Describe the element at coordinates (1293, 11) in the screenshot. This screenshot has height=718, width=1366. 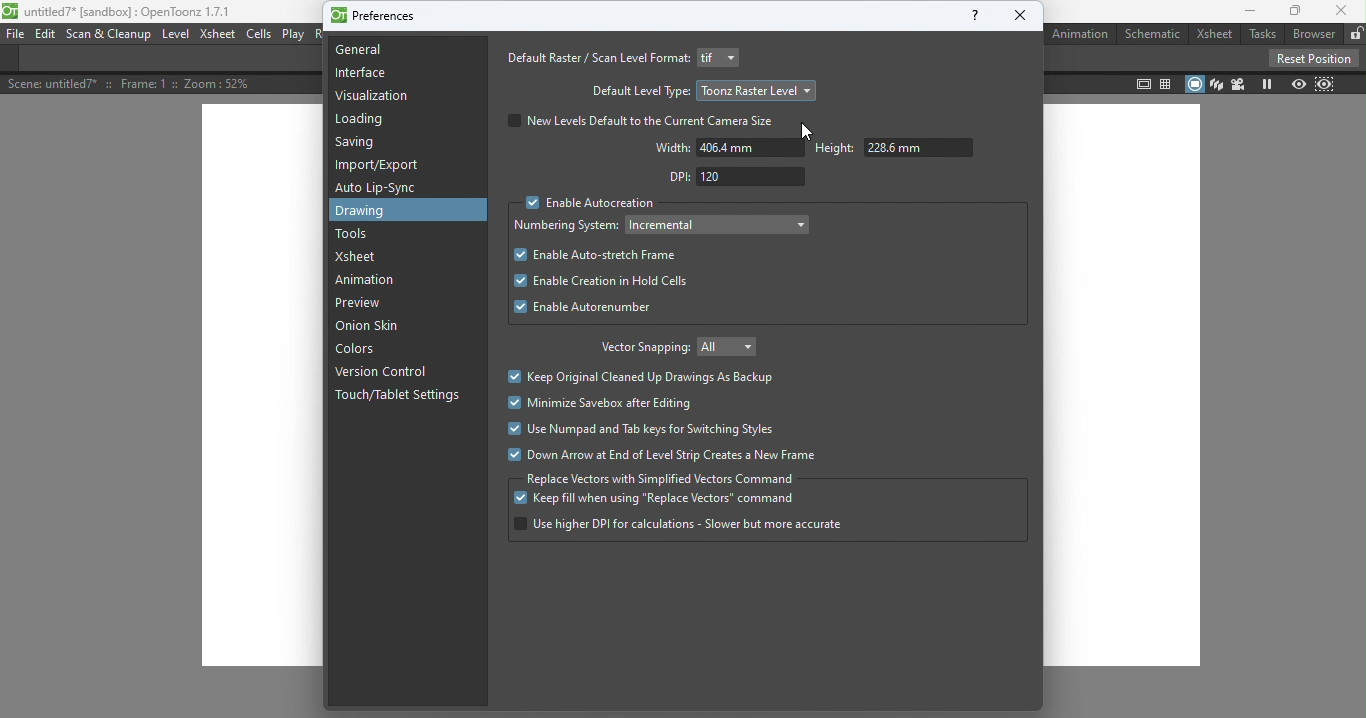
I see `Maximize` at that location.